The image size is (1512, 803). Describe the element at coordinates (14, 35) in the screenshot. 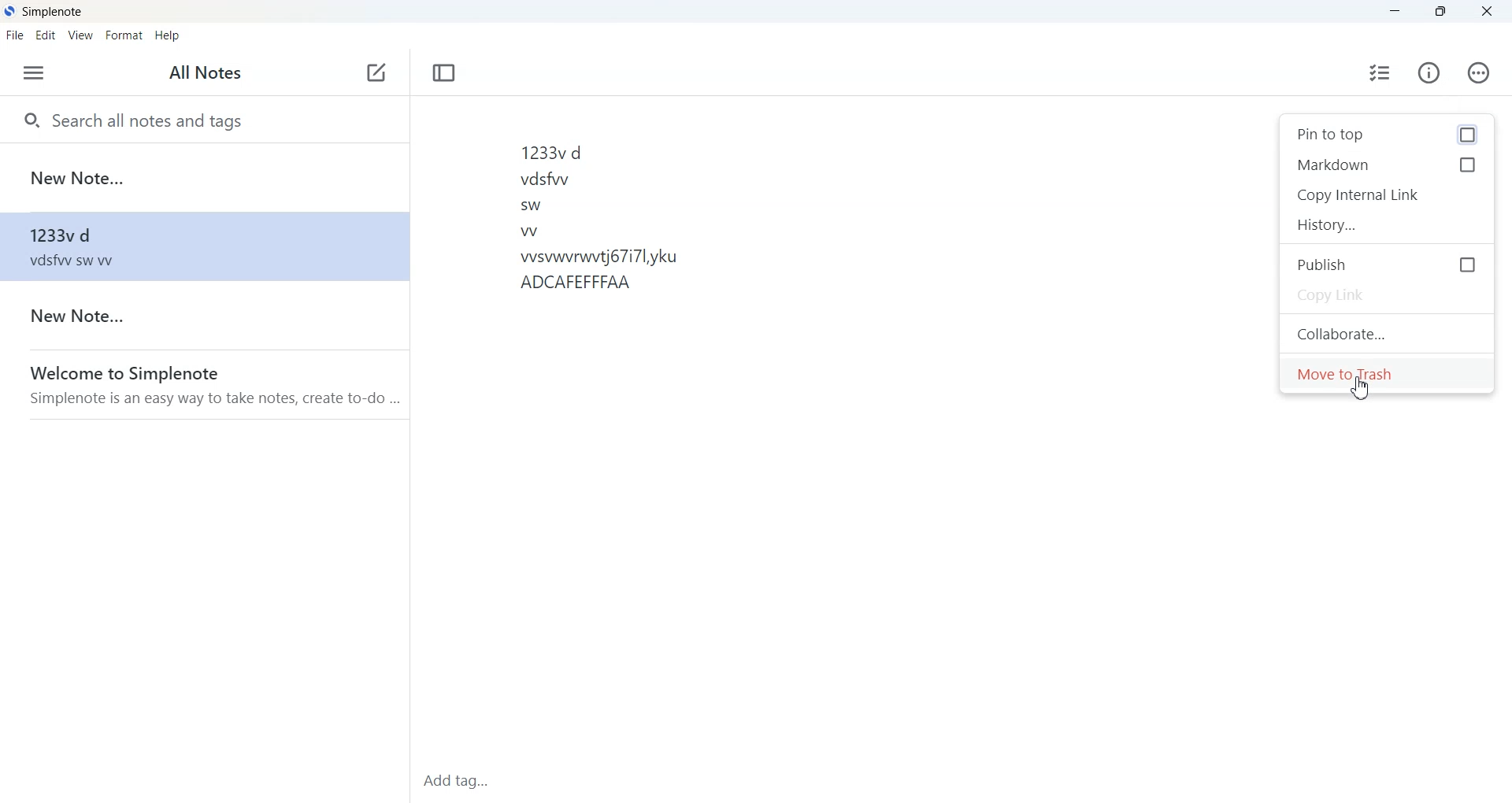

I see `File` at that location.